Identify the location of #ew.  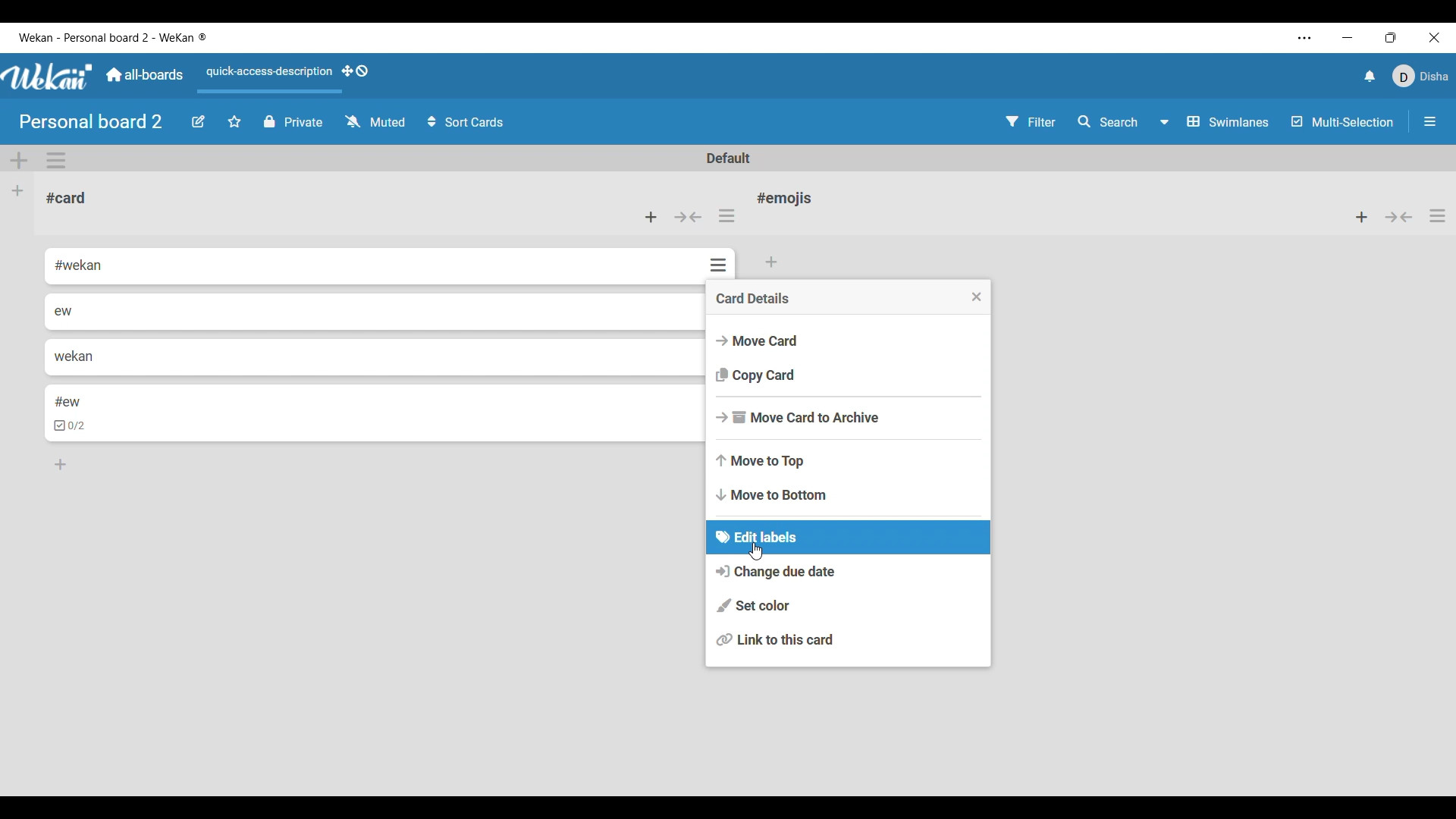
(68, 400).